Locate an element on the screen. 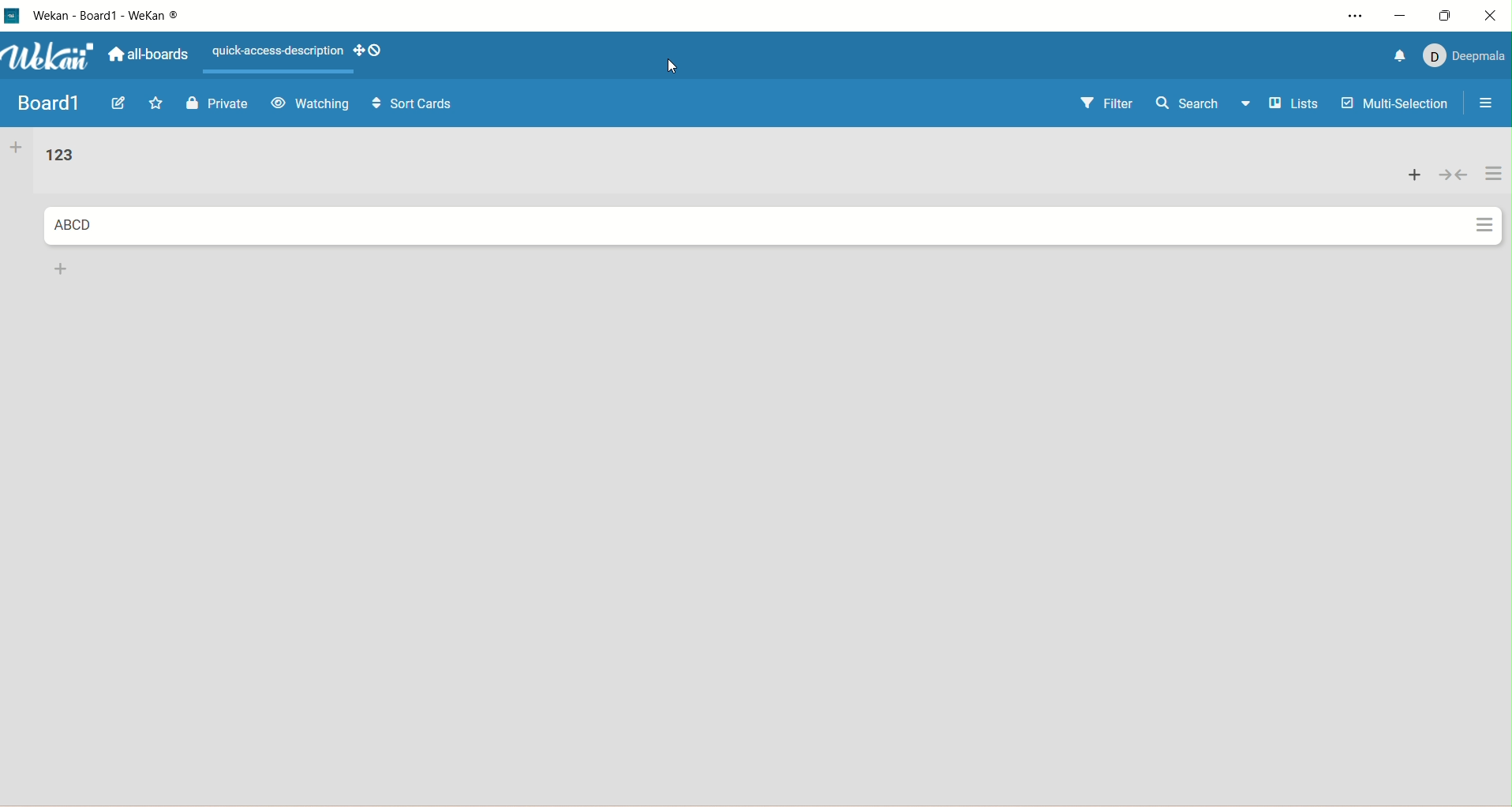  add list is located at coordinates (16, 149).